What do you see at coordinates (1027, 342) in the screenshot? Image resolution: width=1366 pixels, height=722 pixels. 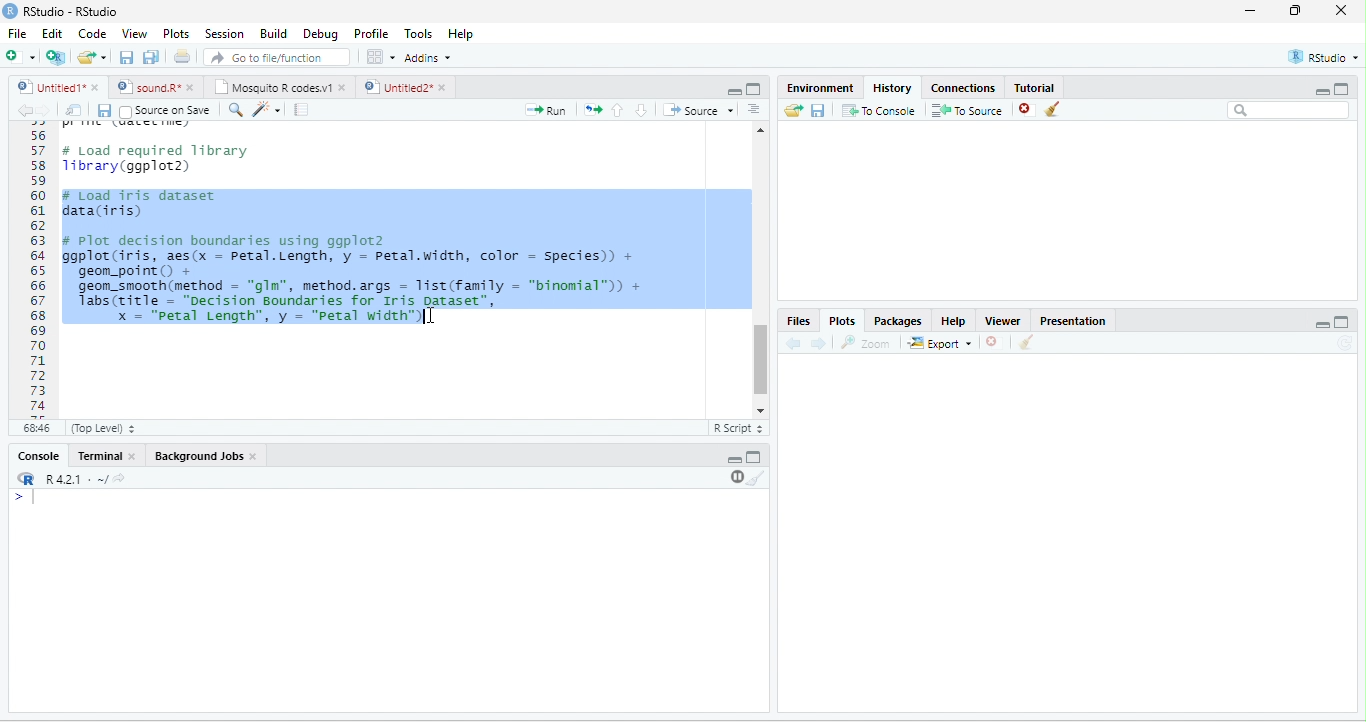 I see `clear` at bounding box center [1027, 342].